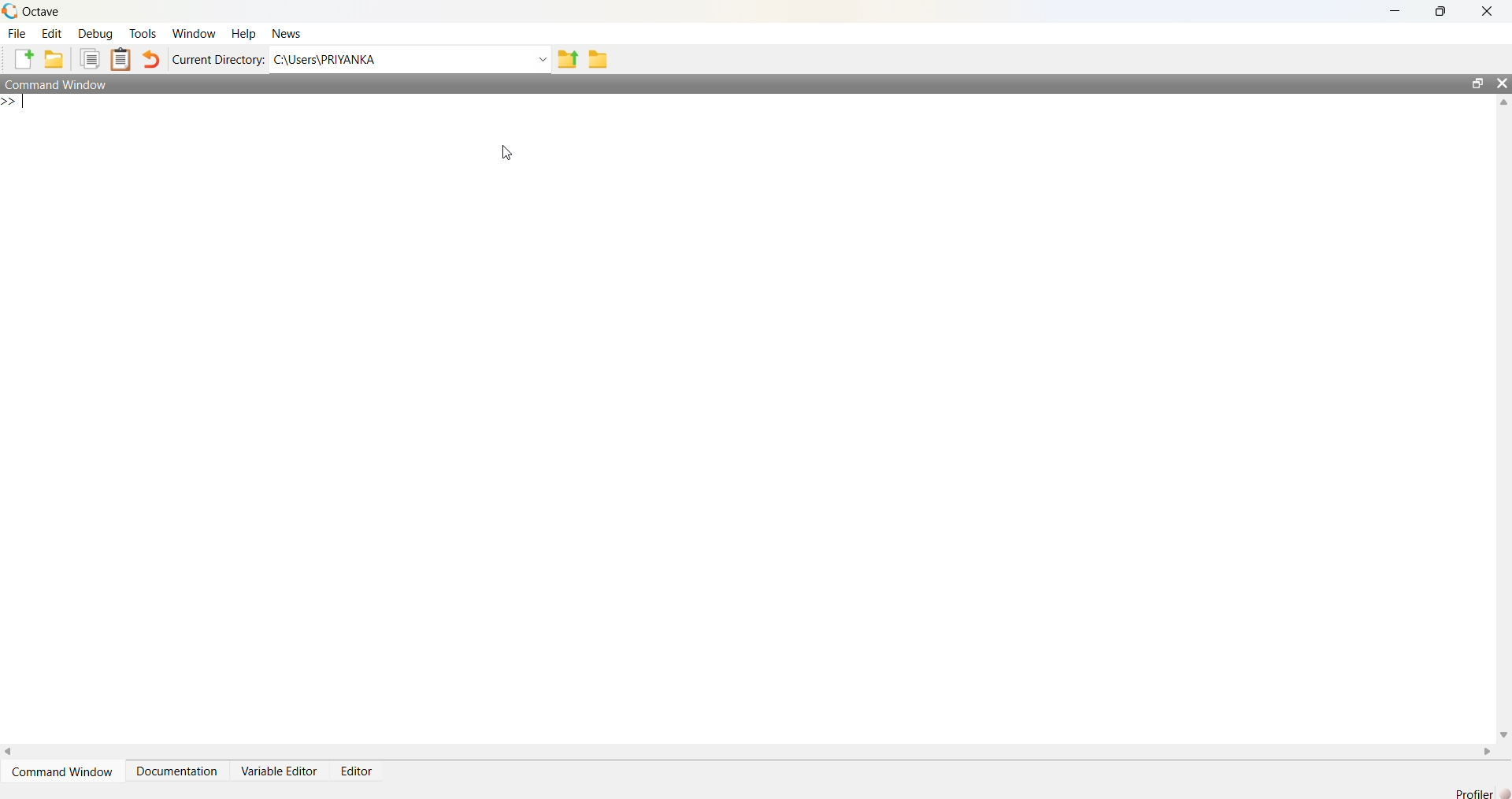  Describe the element at coordinates (91, 58) in the screenshot. I see `Copy` at that location.